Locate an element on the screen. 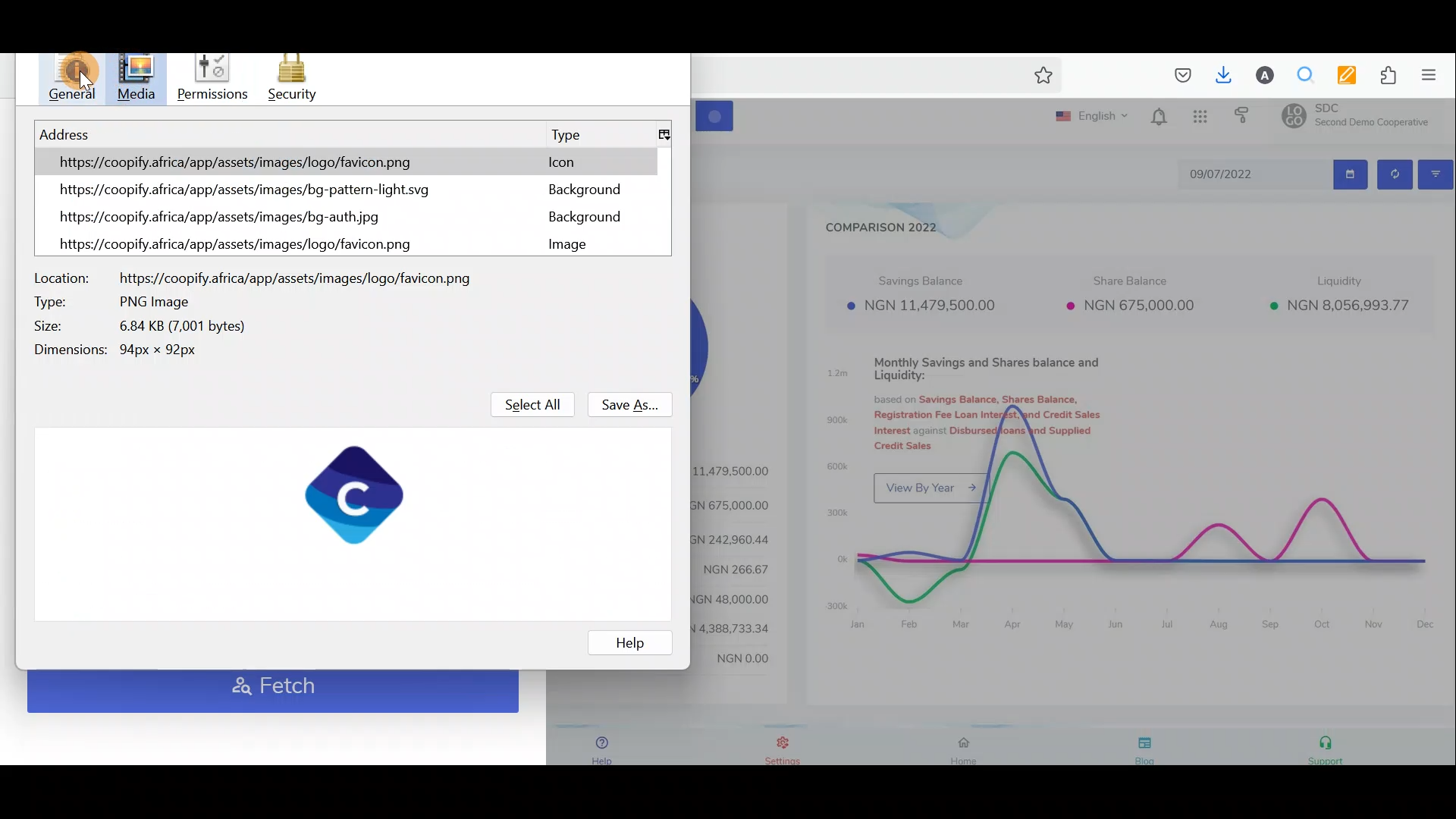 The image size is (1456, 819). Block is located at coordinates (634, 253).